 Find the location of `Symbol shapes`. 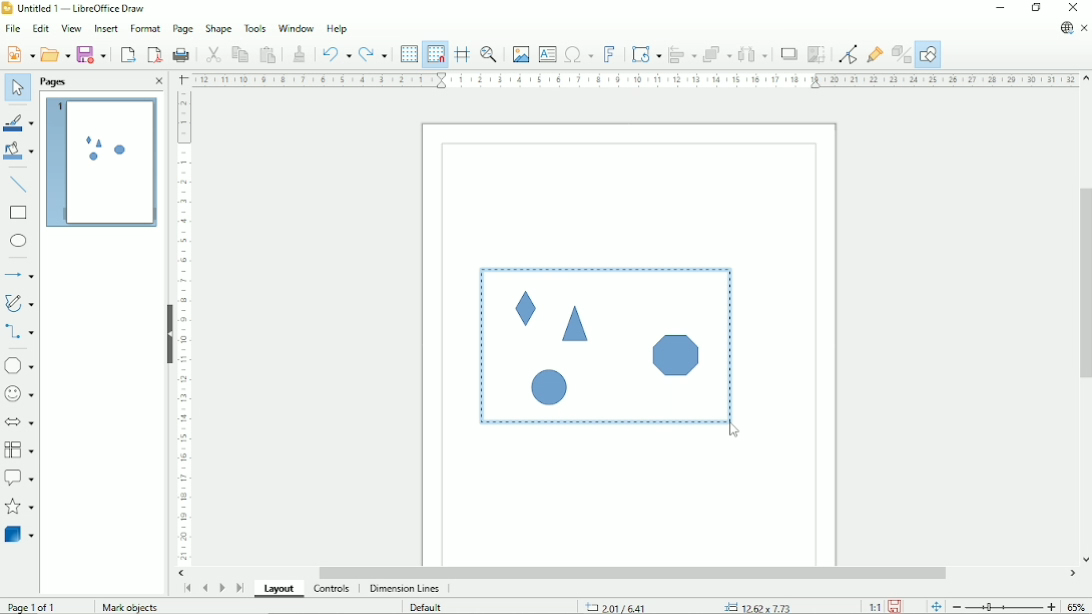

Symbol shapes is located at coordinates (19, 394).